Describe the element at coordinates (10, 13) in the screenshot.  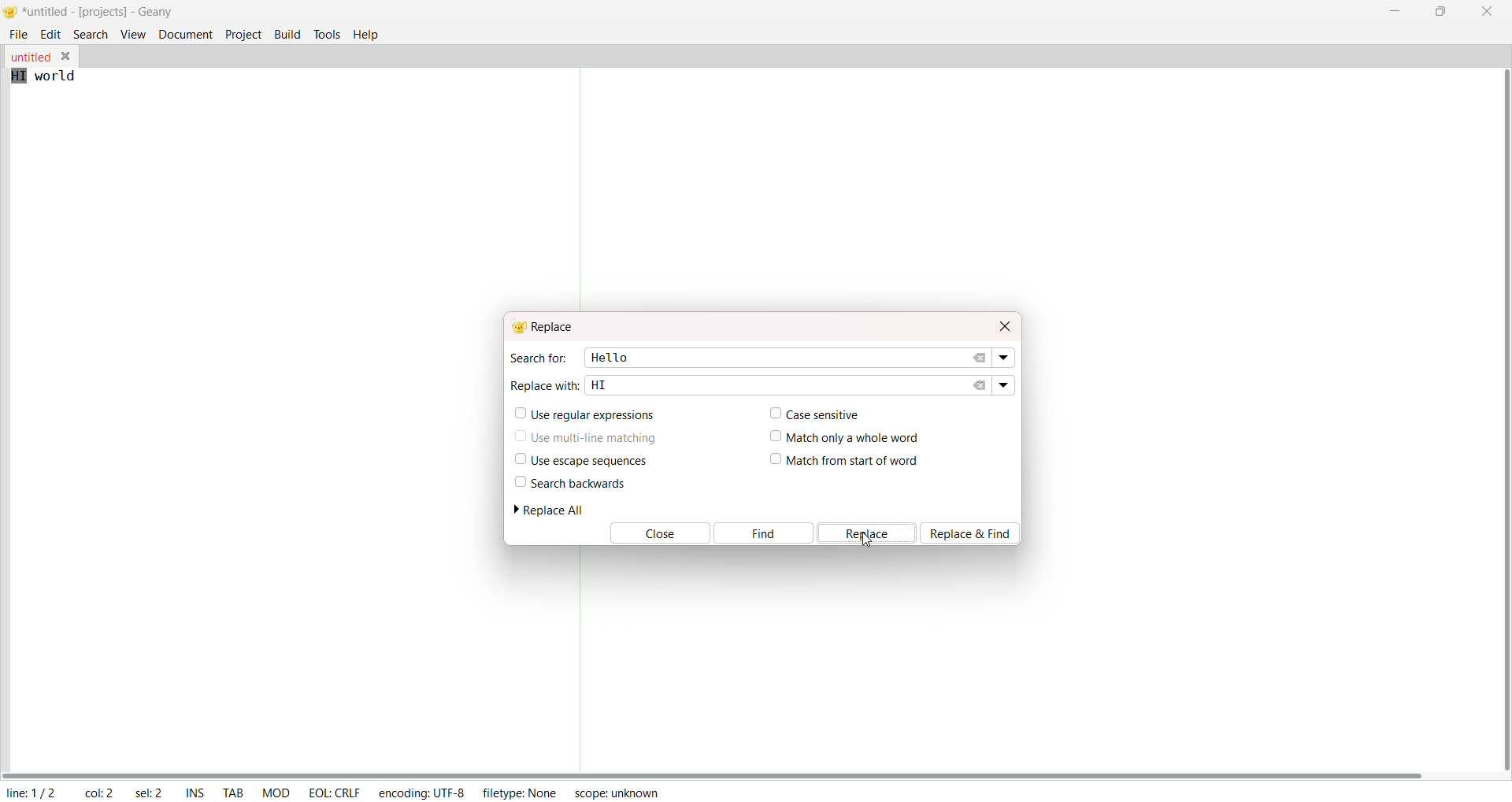
I see `logo` at that location.